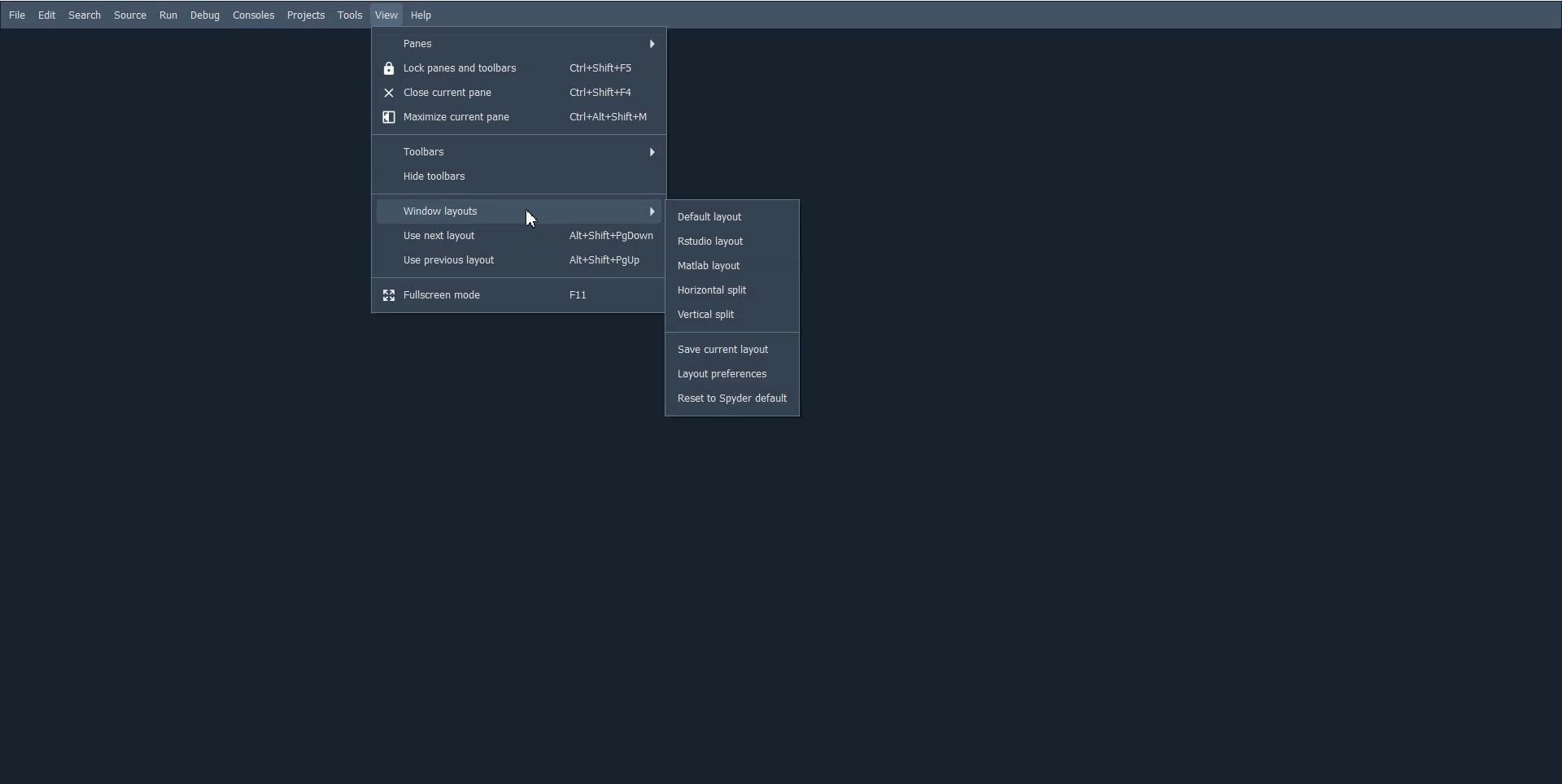 Image resolution: width=1562 pixels, height=784 pixels. I want to click on Source, so click(129, 15).